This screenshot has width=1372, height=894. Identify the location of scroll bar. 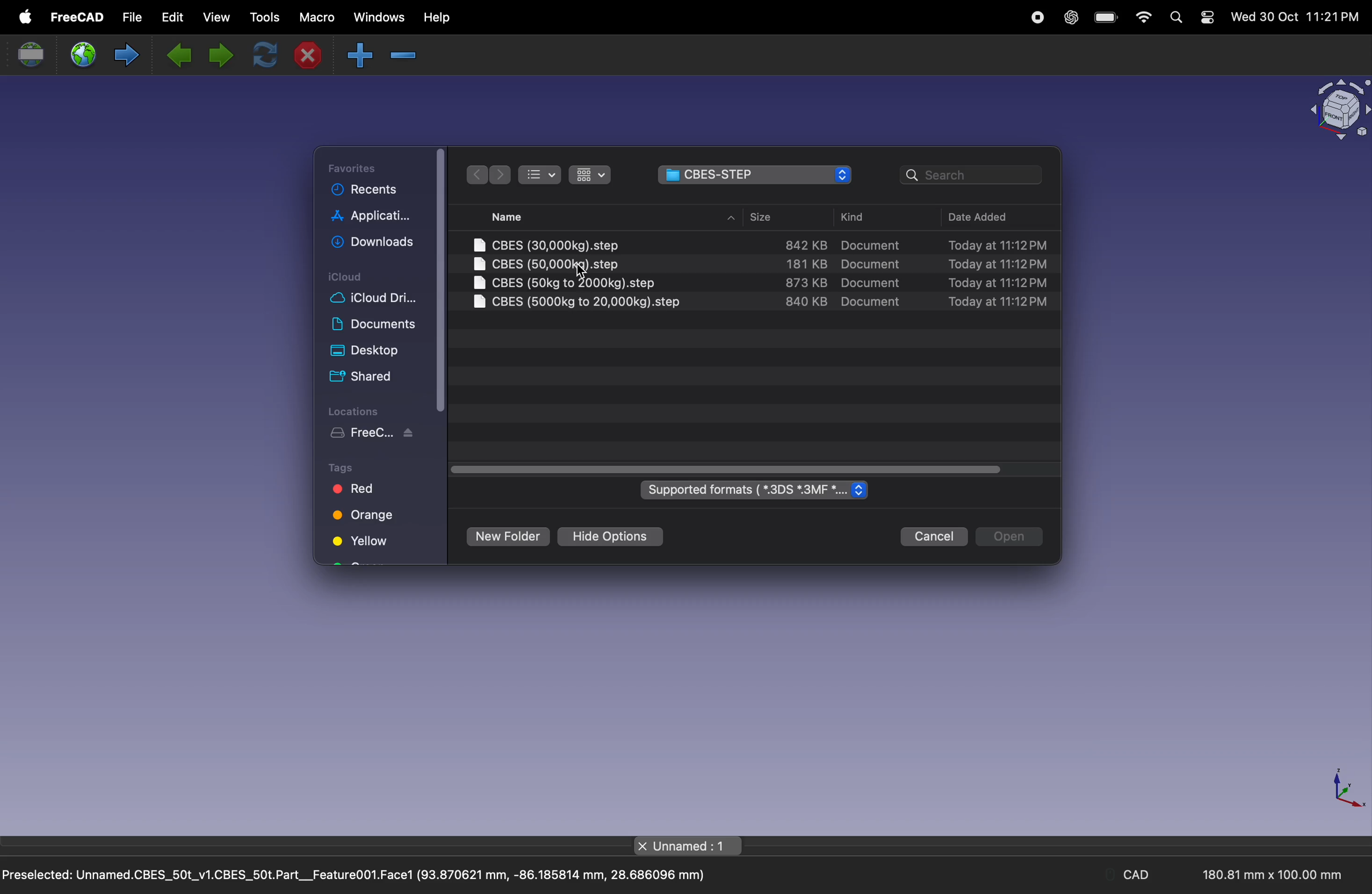
(726, 469).